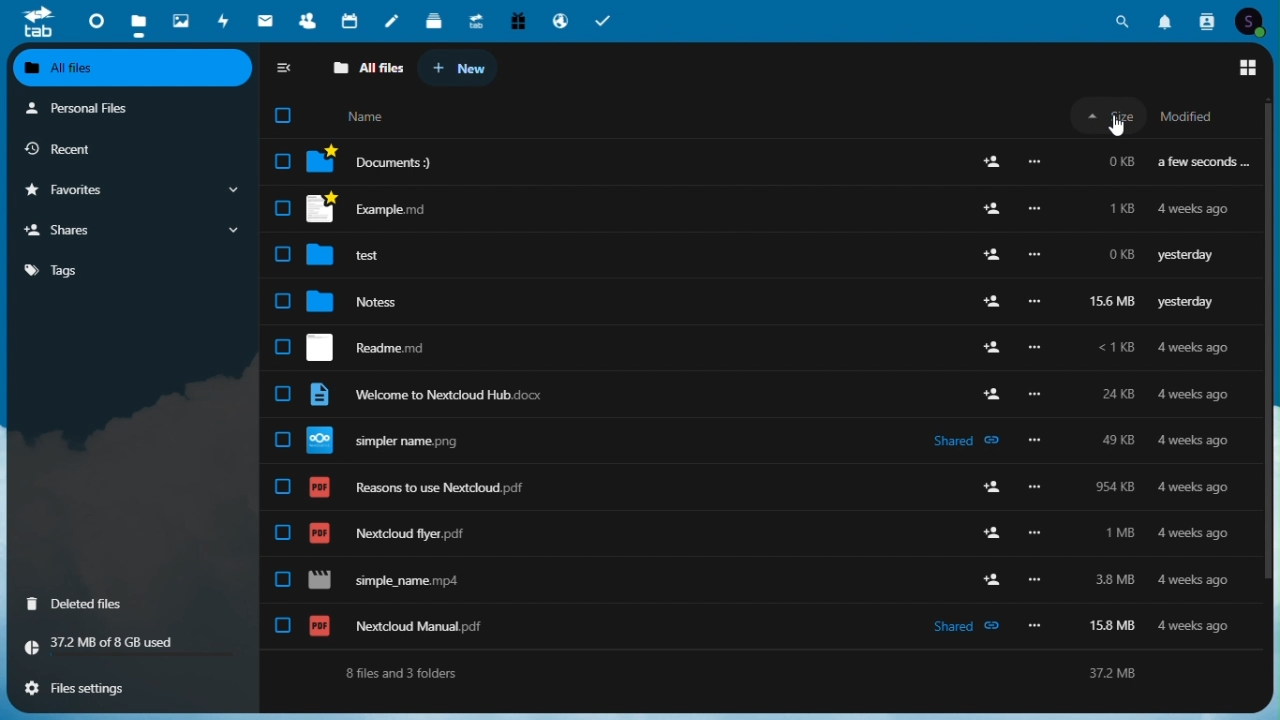  Describe the element at coordinates (1166, 17) in the screenshot. I see `` at that location.